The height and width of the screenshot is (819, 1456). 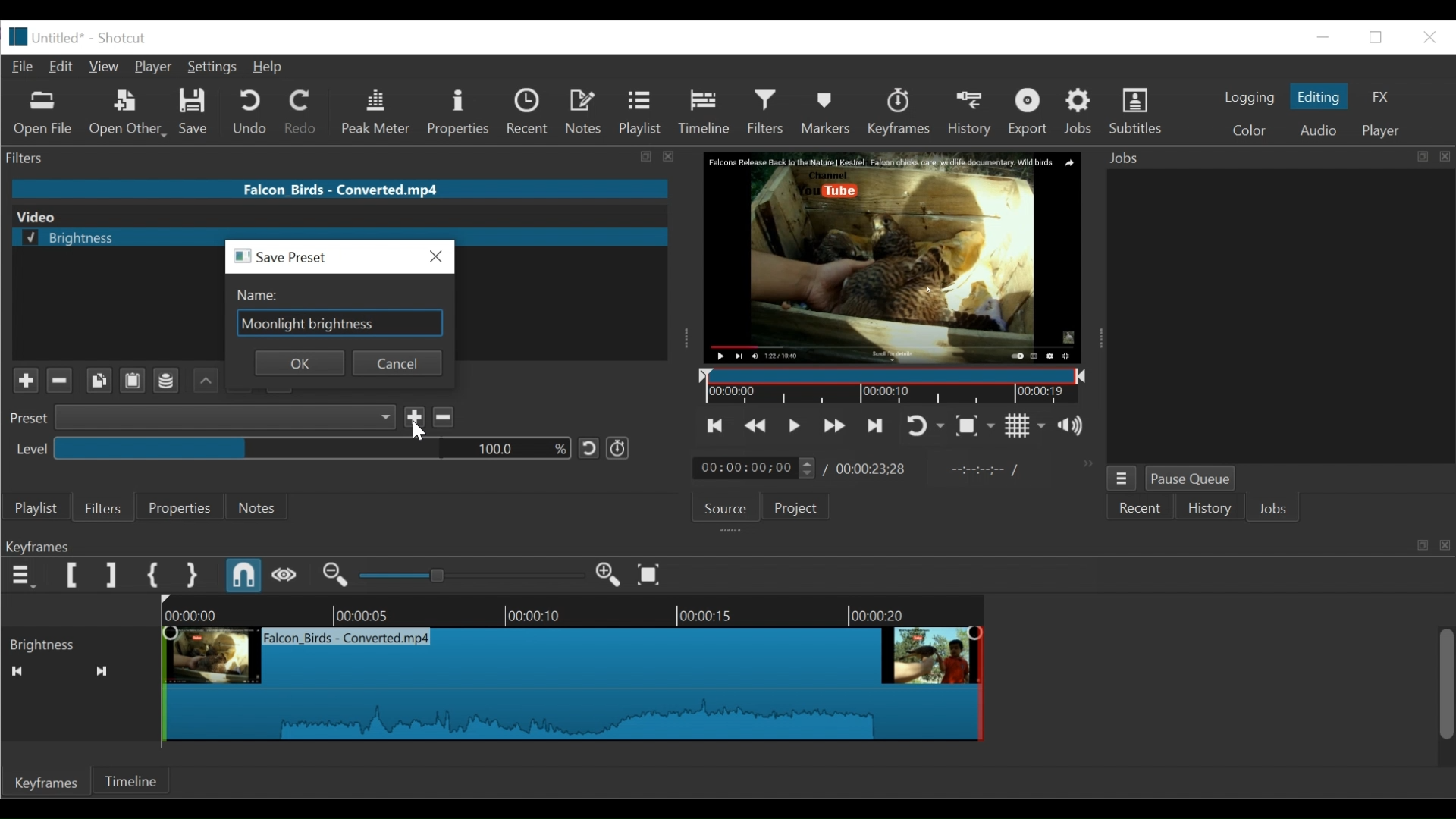 I want to click on Player, so click(x=1382, y=130).